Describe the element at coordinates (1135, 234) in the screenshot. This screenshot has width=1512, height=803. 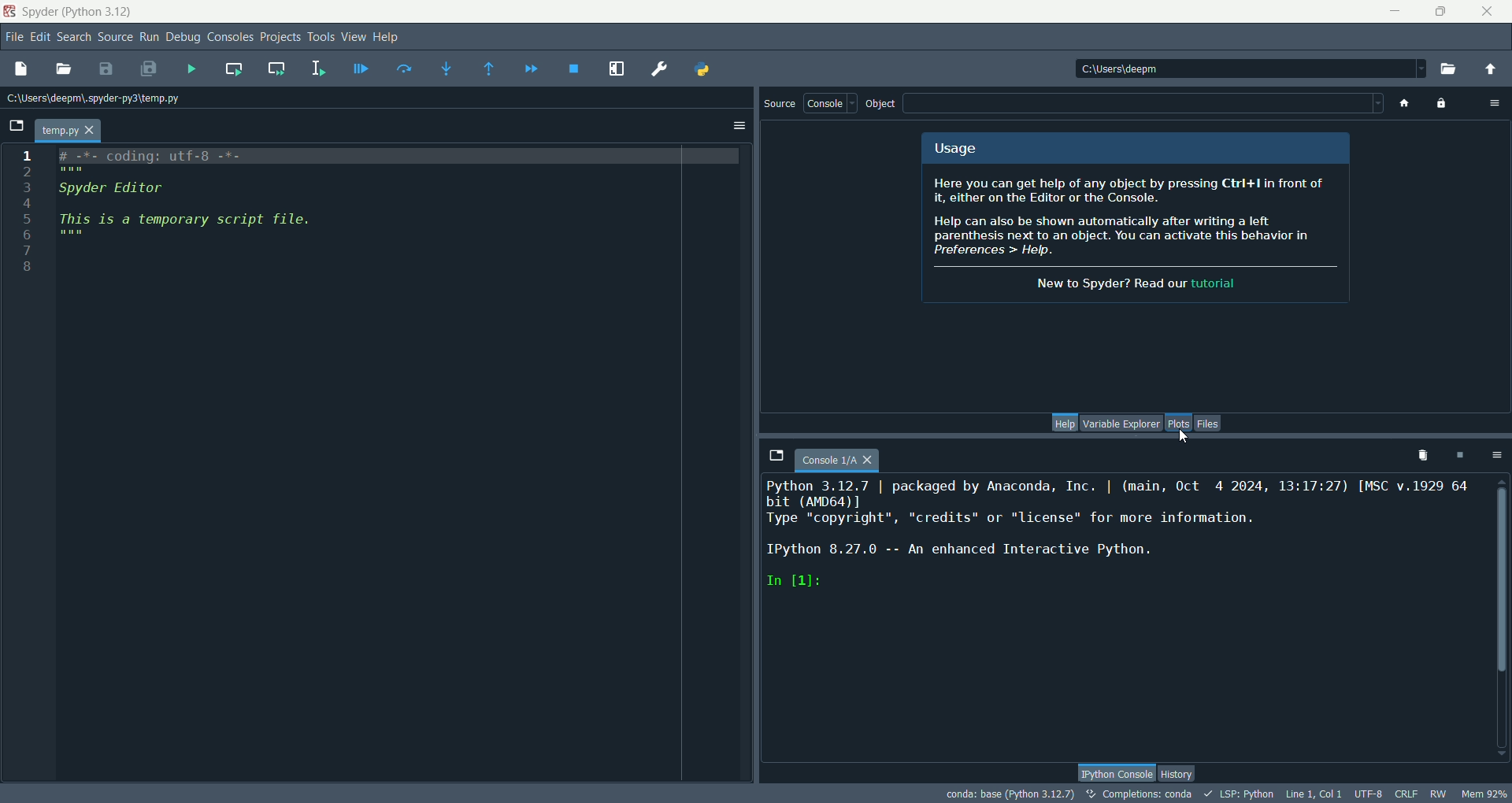
I see `text` at that location.